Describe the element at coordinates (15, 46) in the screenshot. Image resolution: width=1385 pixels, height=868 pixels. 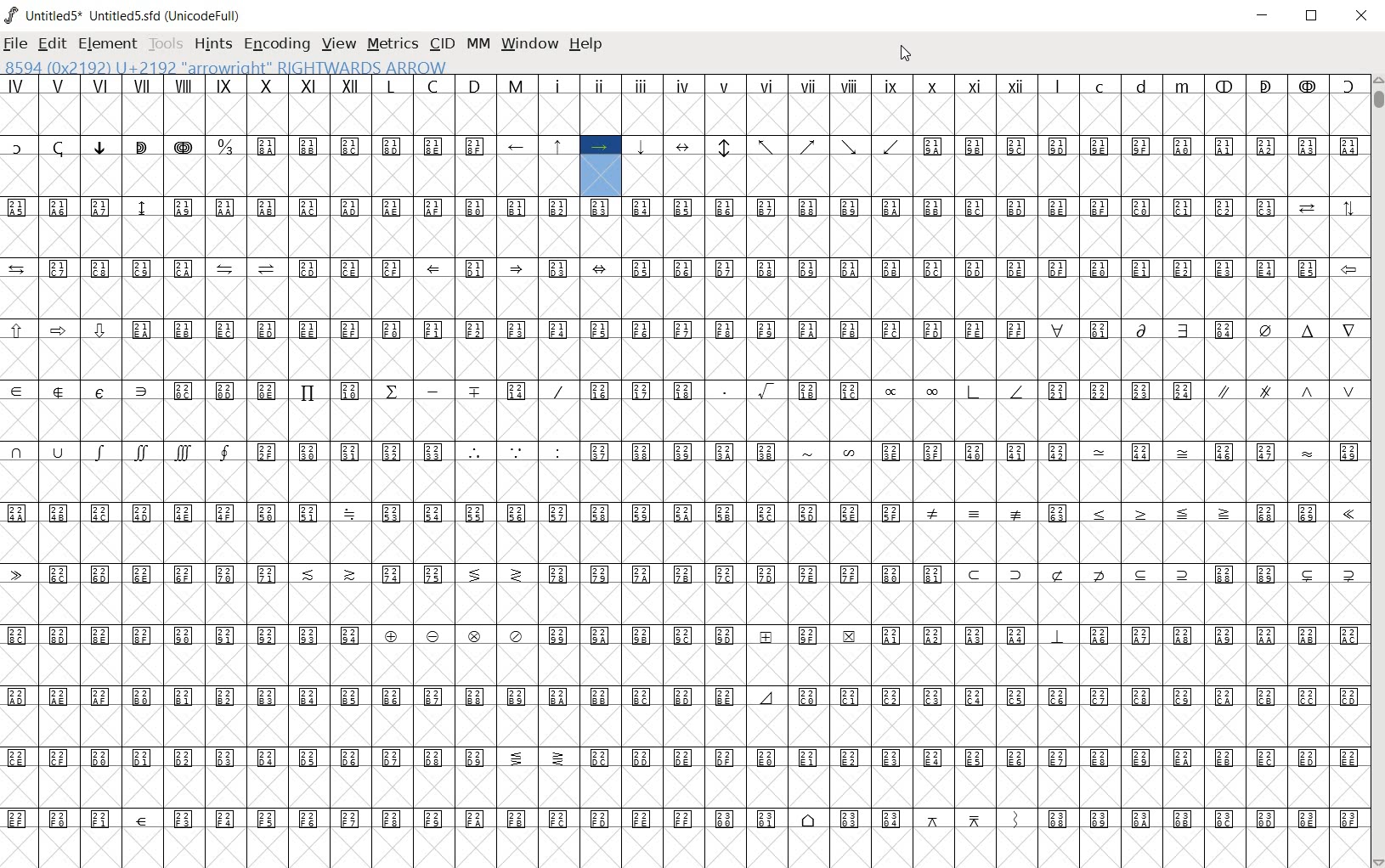
I see `FILE` at that location.